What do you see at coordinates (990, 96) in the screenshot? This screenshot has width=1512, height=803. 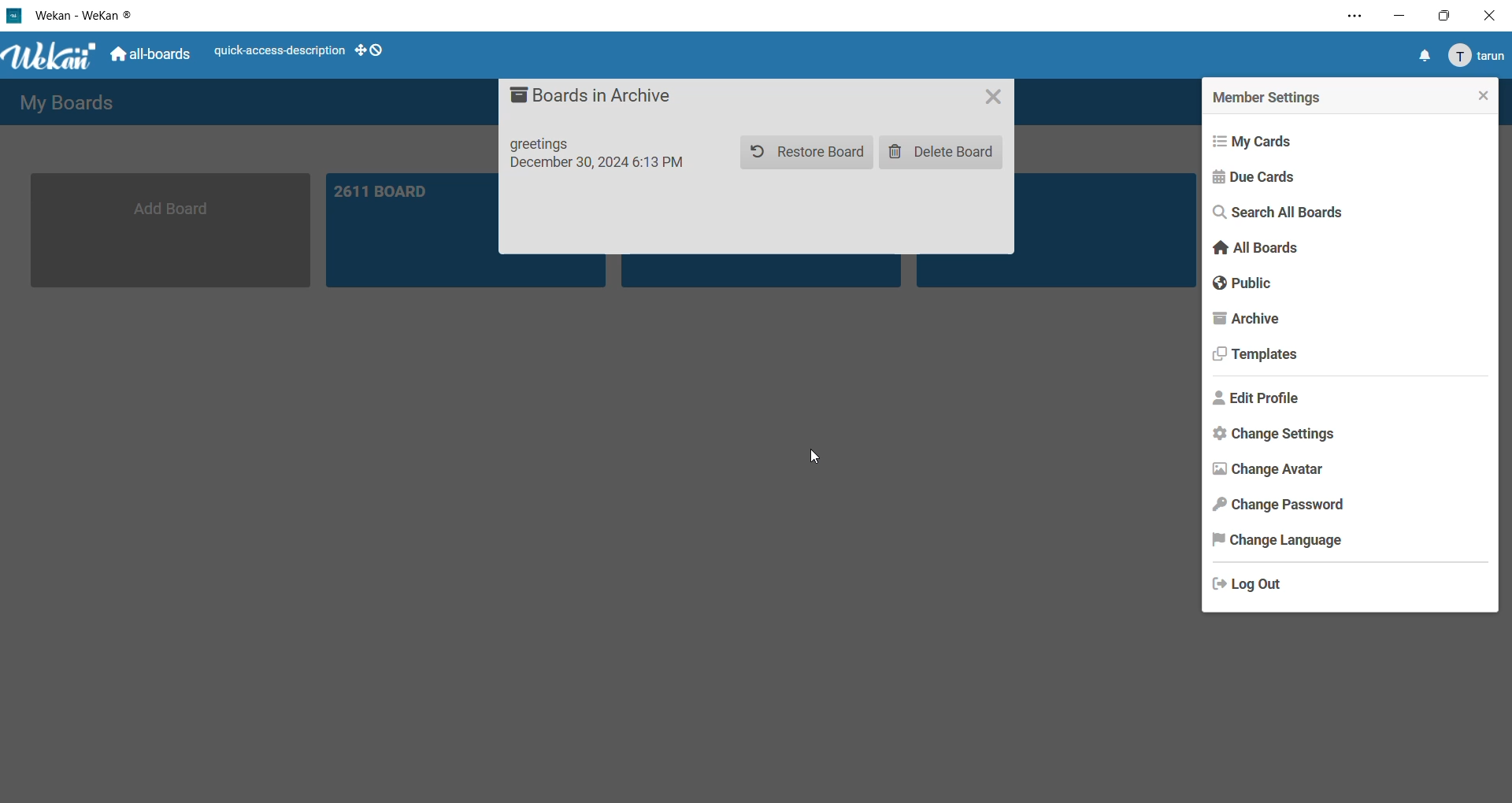 I see `close` at bounding box center [990, 96].